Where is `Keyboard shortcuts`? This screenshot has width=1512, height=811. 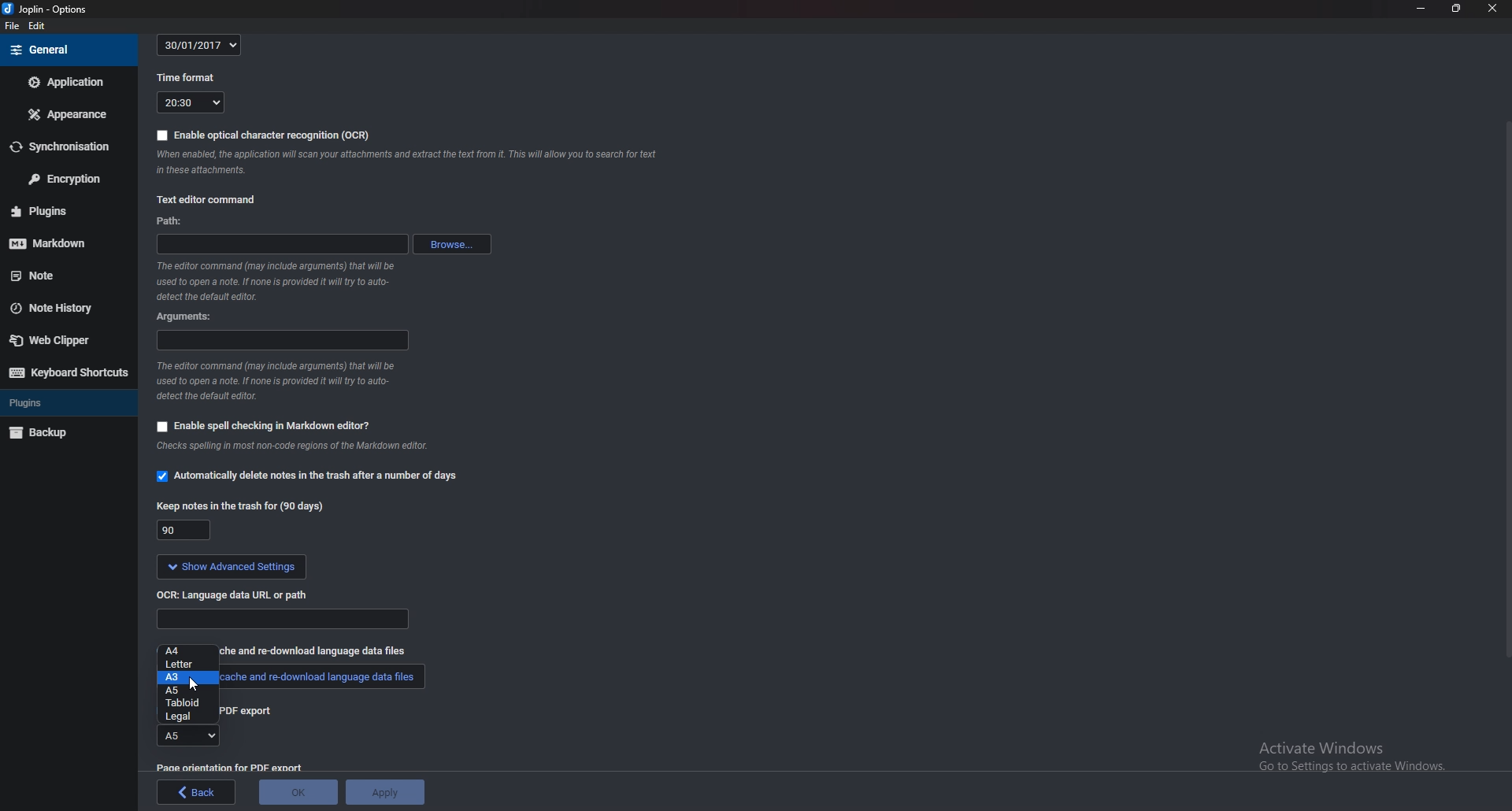 Keyboard shortcuts is located at coordinates (68, 373).